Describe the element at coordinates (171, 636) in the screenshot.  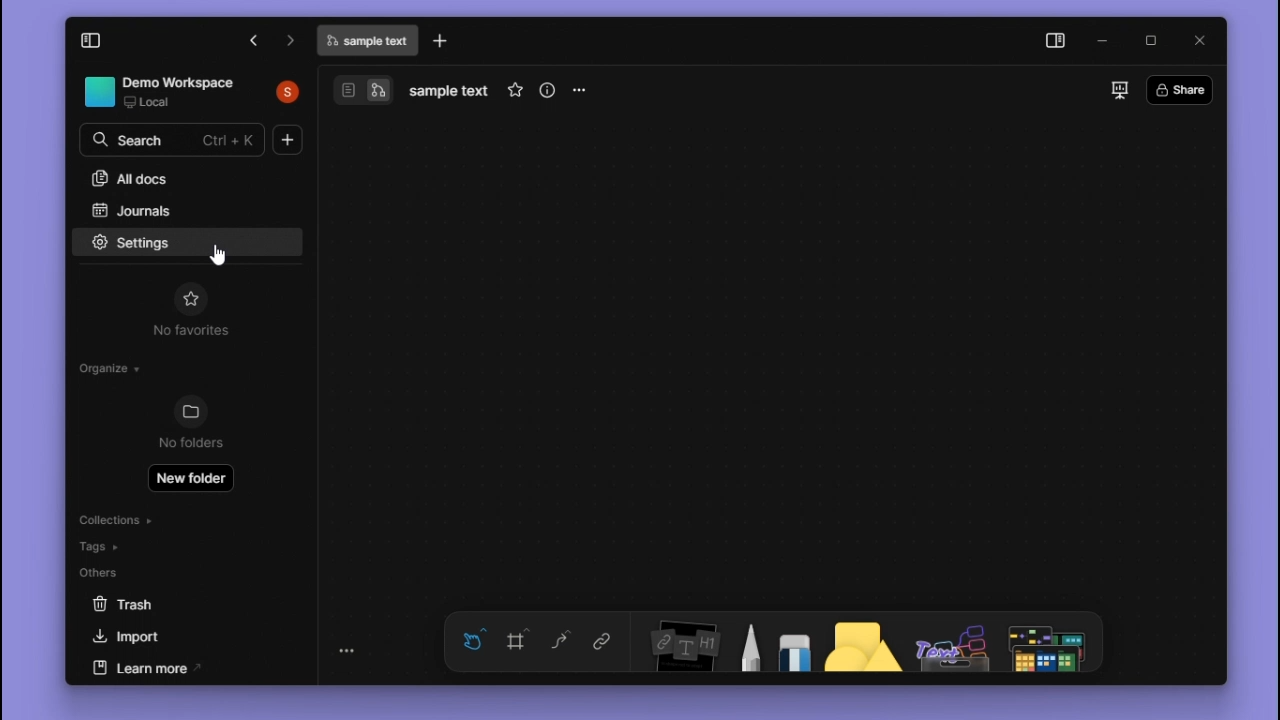
I see `import` at that location.